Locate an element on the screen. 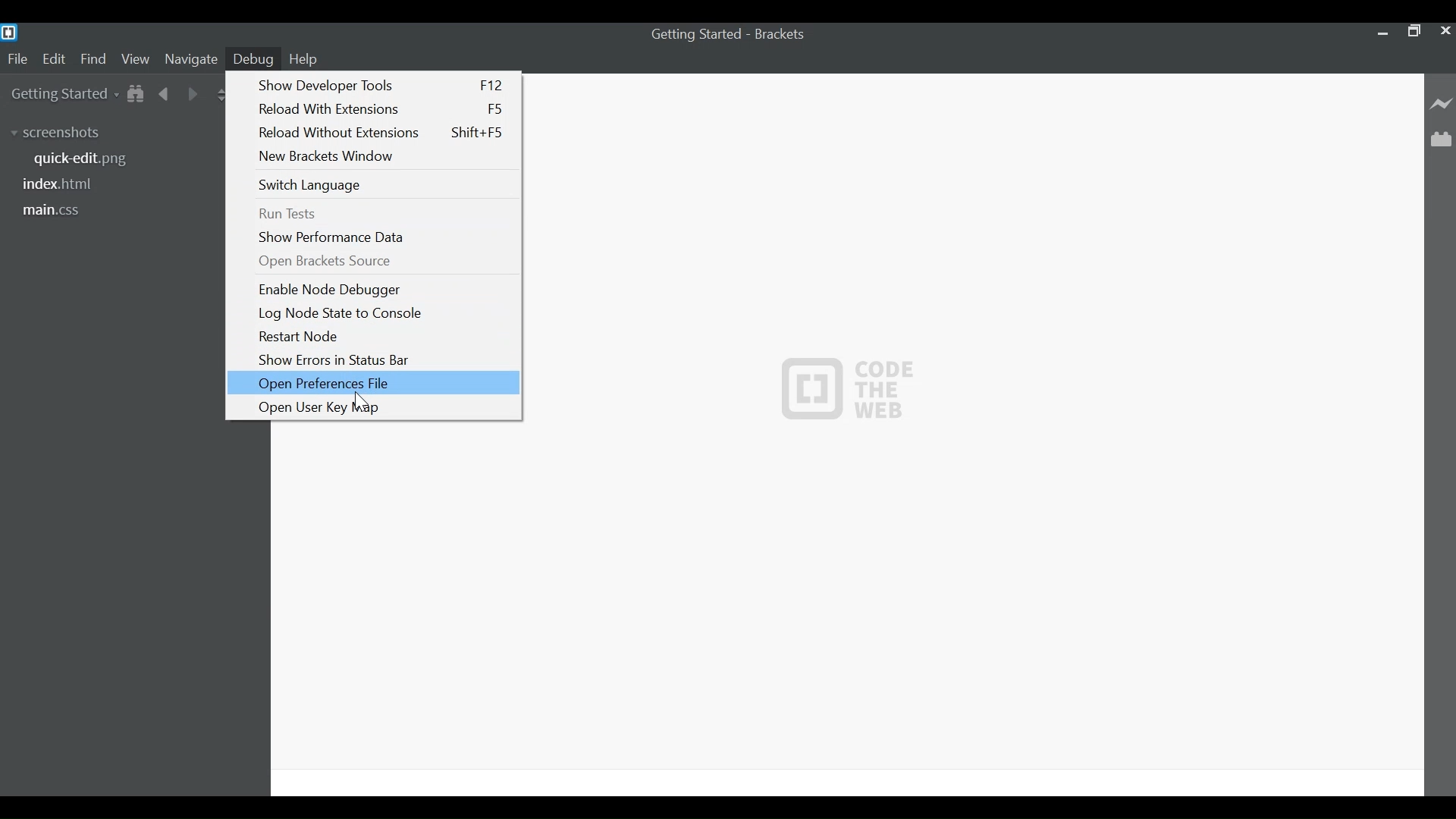 The width and height of the screenshot is (1456, 819). Live Preview is located at coordinates (1439, 102).